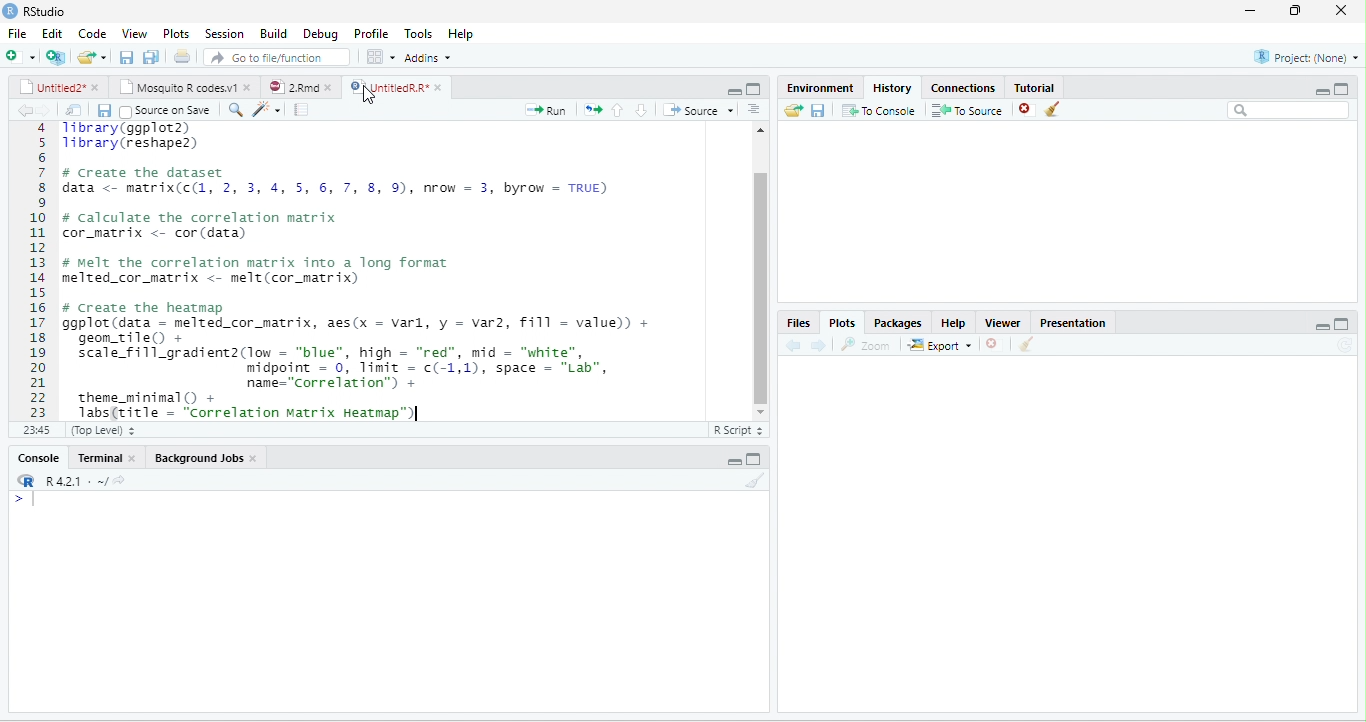 The width and height of the screenshot is (1366, 722). I want to click on cursor, so click(377, 94).